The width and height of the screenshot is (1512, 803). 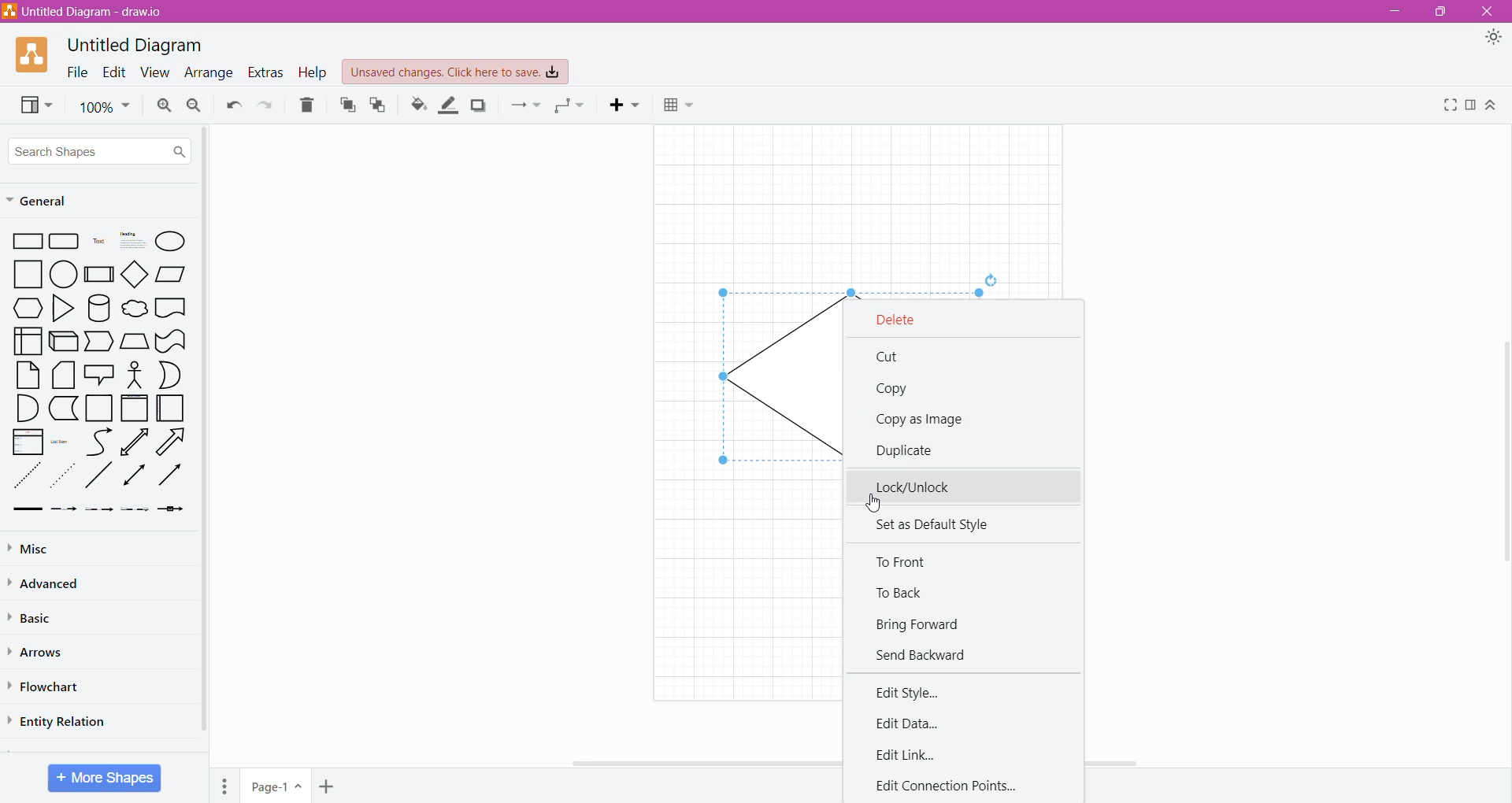 I want to click on Redo, so click(x=265, y=105).